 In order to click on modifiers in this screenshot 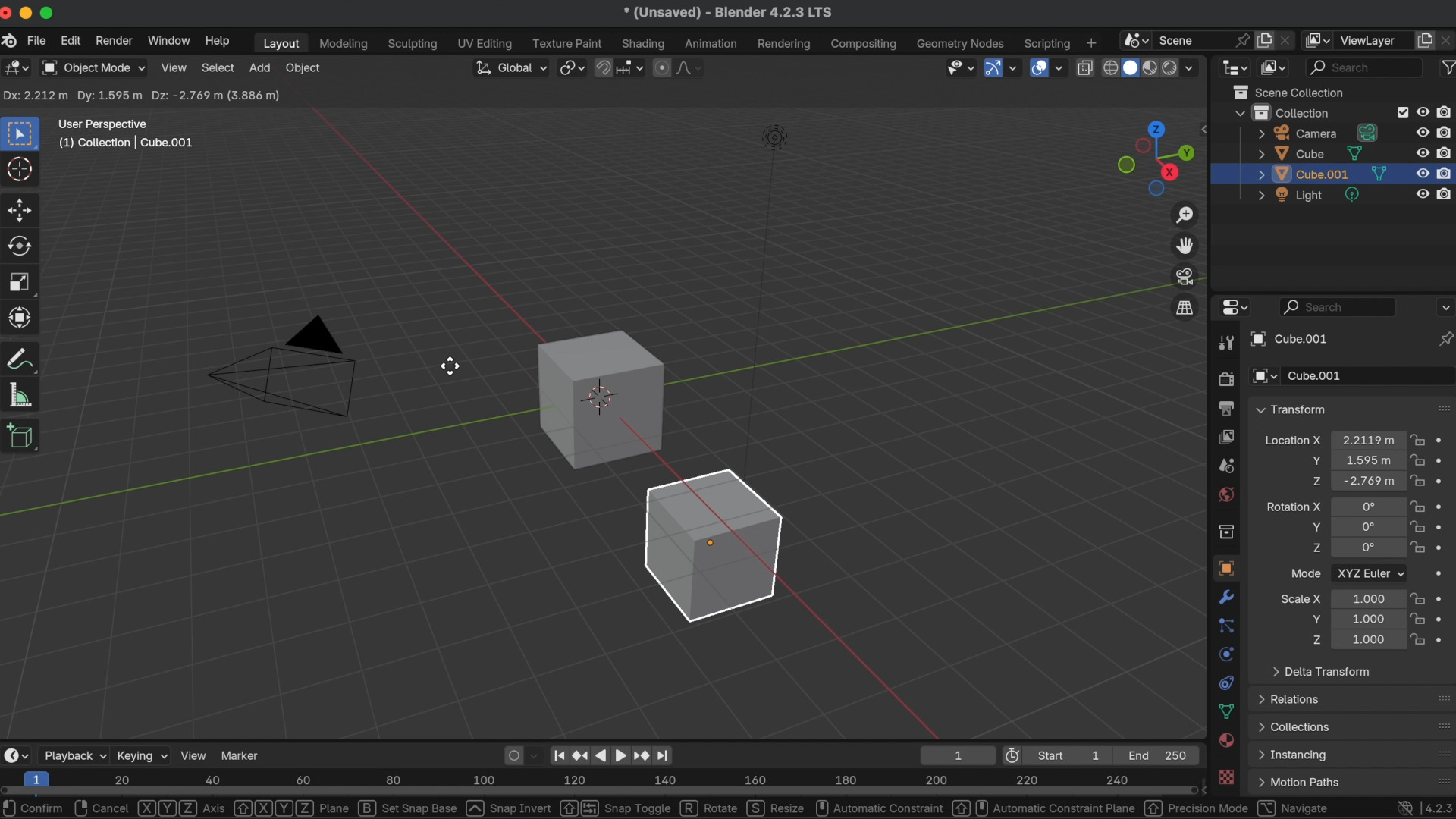, I will do `click(1228, 597)`.